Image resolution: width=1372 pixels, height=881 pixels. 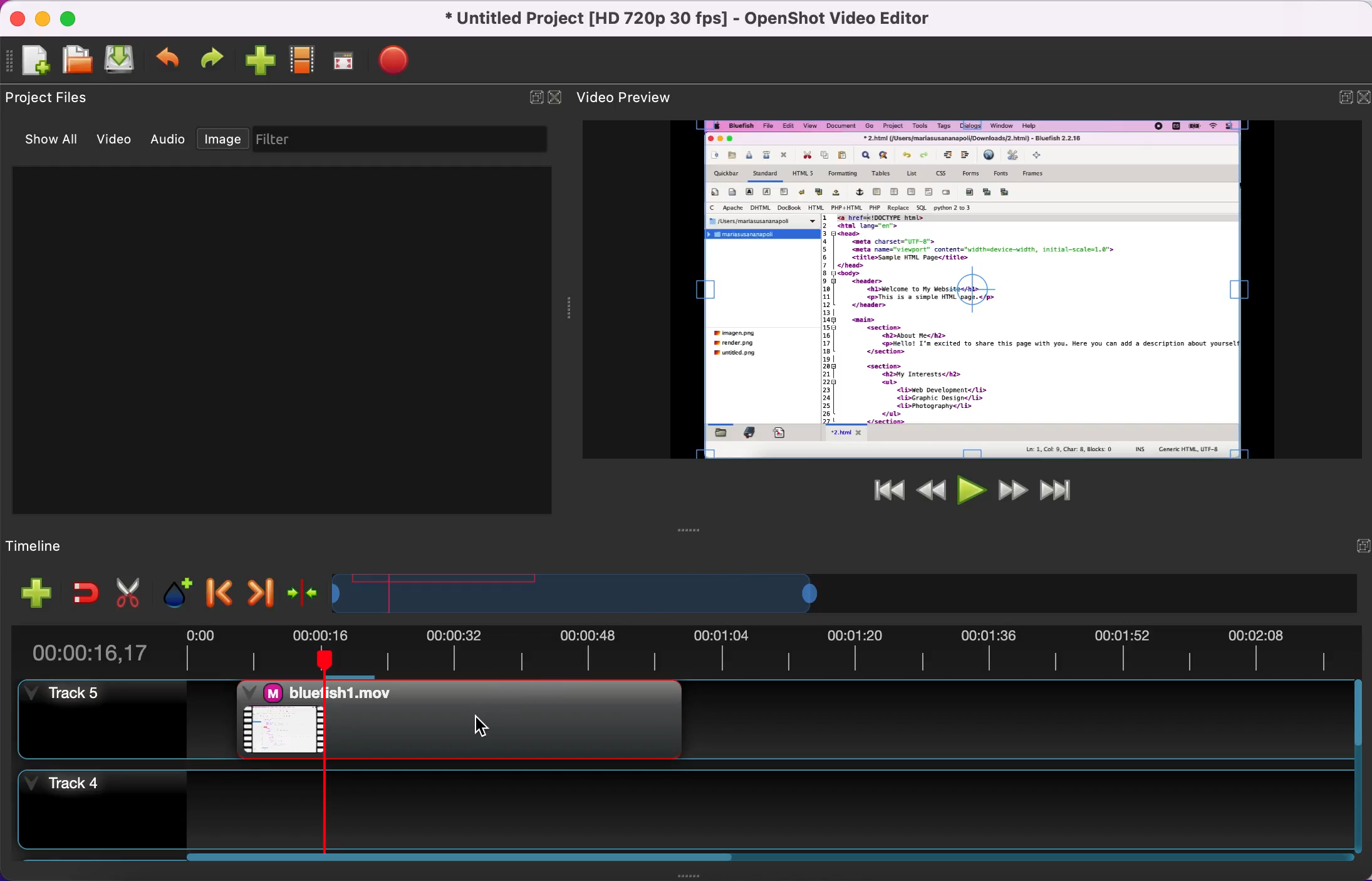 I want to click on minimize, so click(x=46, y=20).